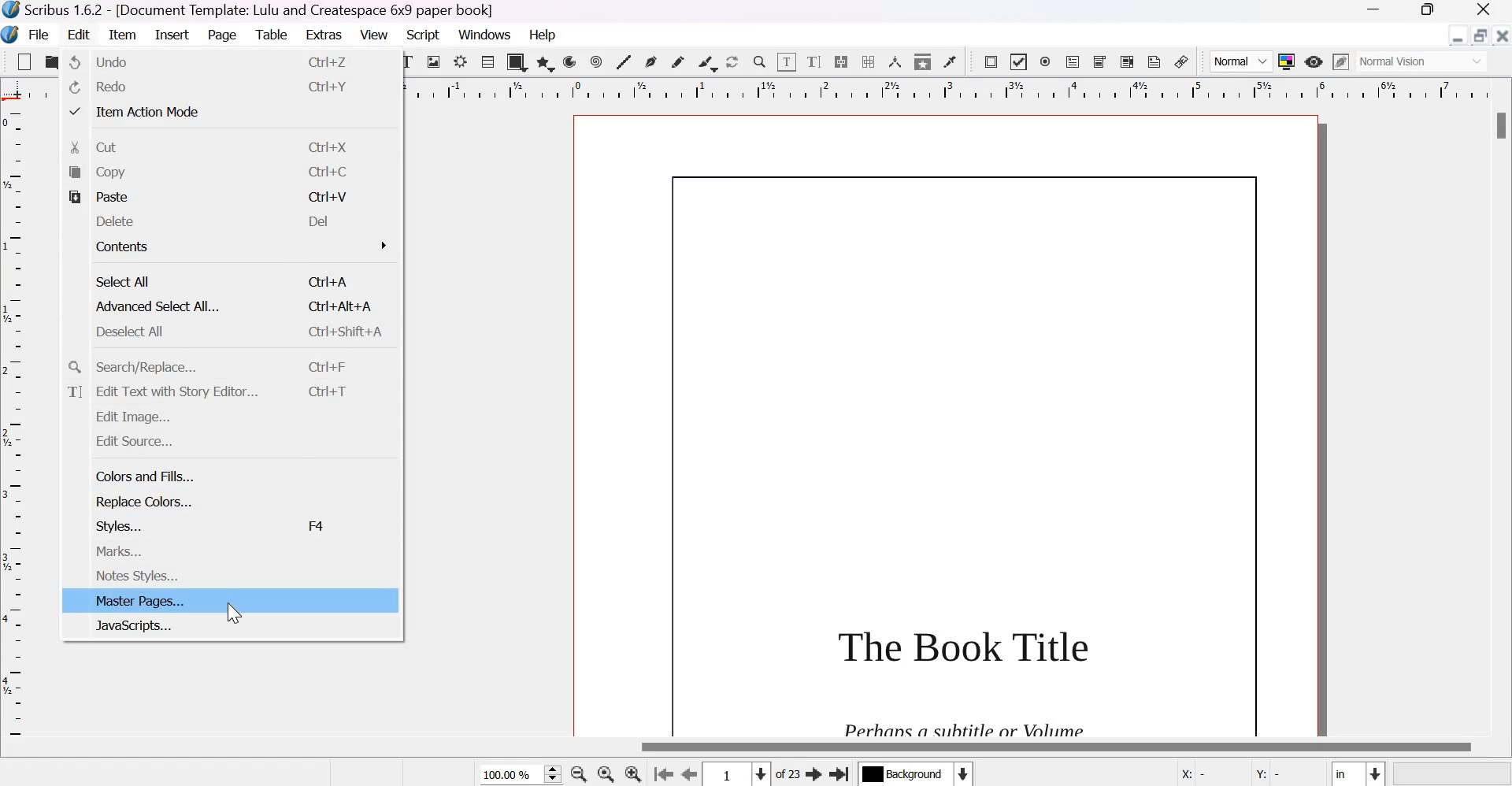 The width and height of the screenshot is (1512, 786). I want to click on Measurements, so click(895, 63).